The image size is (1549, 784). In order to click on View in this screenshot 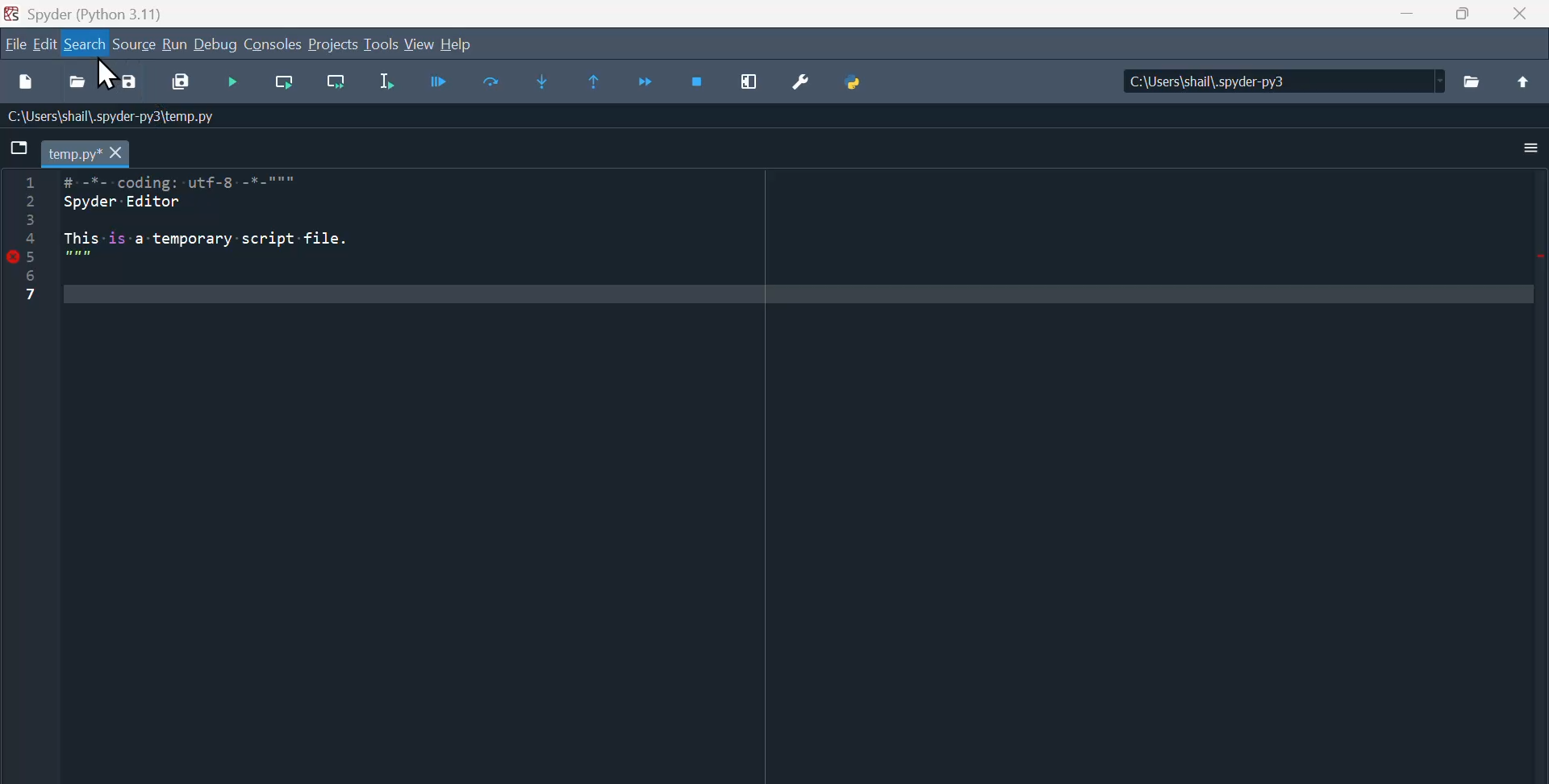, I will do `click(417, 45)`.